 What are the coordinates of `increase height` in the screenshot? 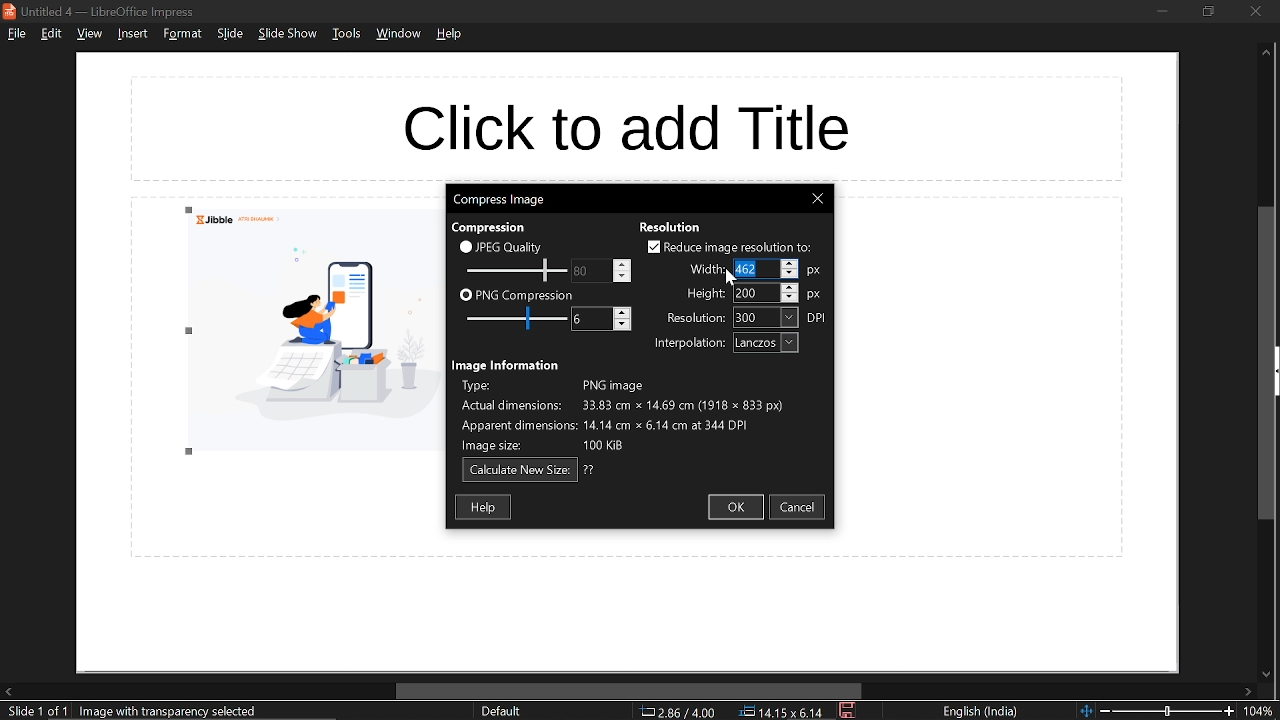 It's located at (789, 286).